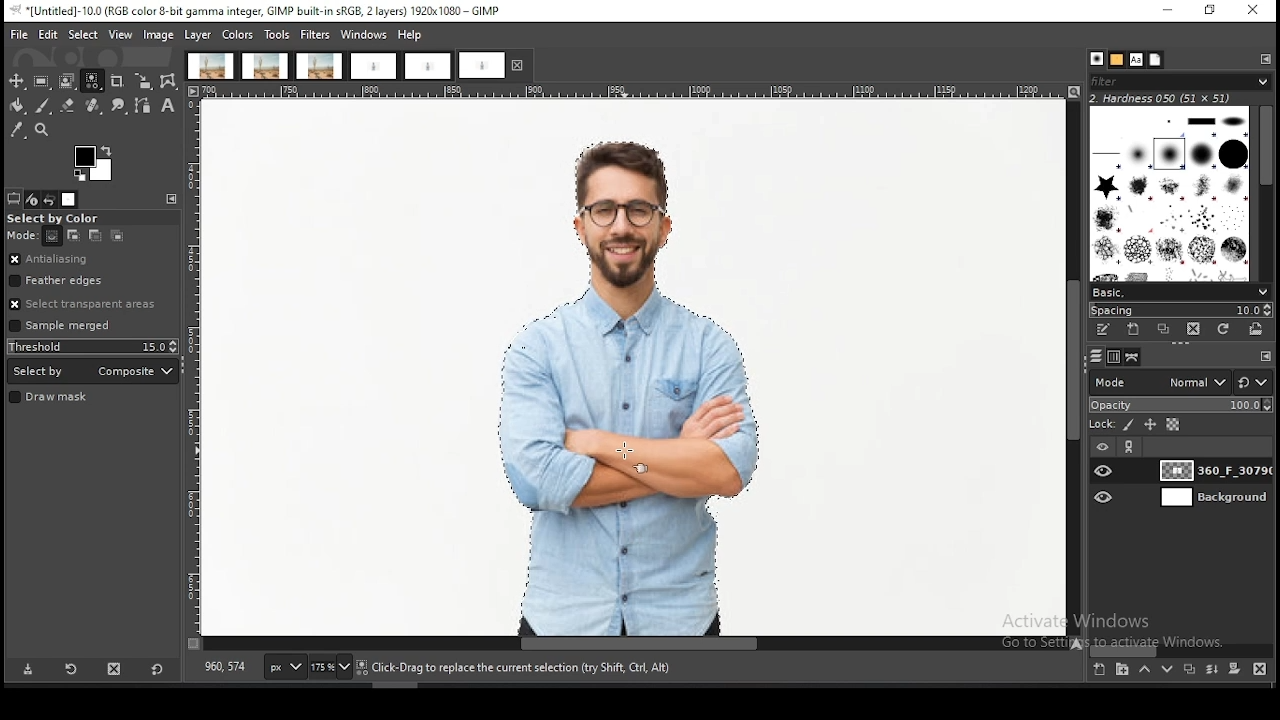 The image size is (1280, 720). I want to click on *[Untitled]-10.0 (RGB color 8-bit gamma integer, GIMP built-in sRGB, 2 layers) 1920x1080 — GIMP, so click(260, 11).